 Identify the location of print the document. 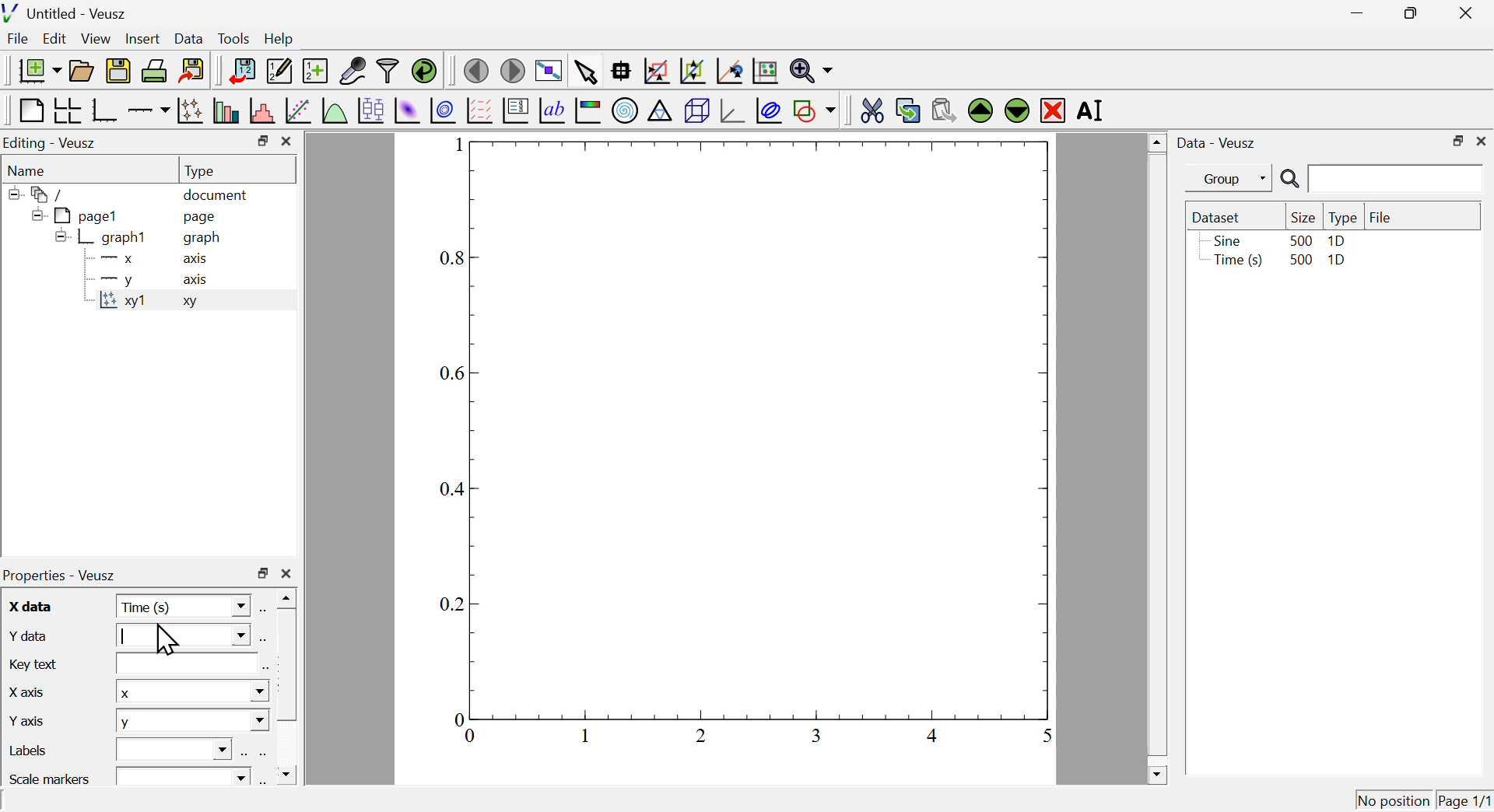
(156, 71).